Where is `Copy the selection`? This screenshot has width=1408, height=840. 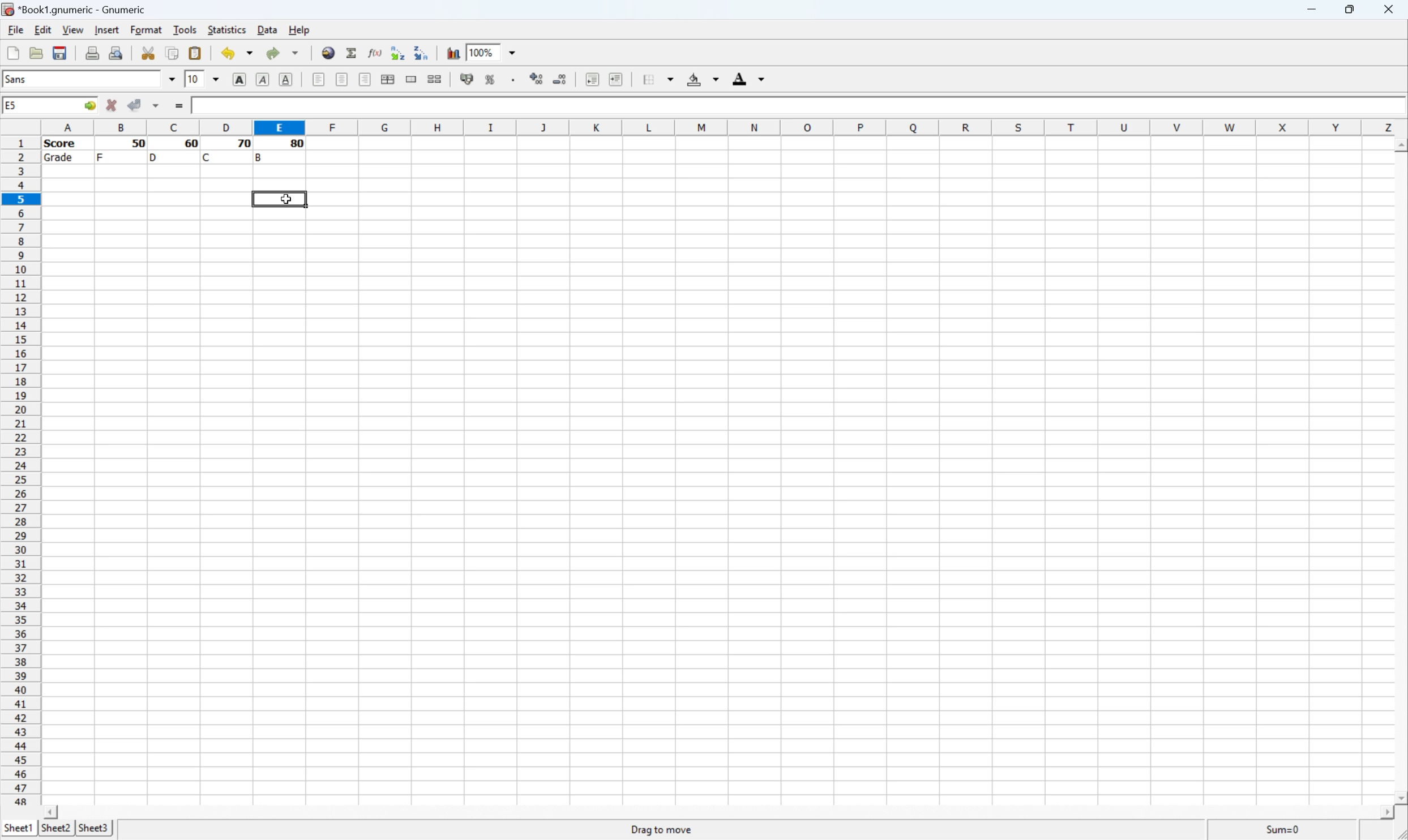 Copy the selection is located at coordinates (173, 55).